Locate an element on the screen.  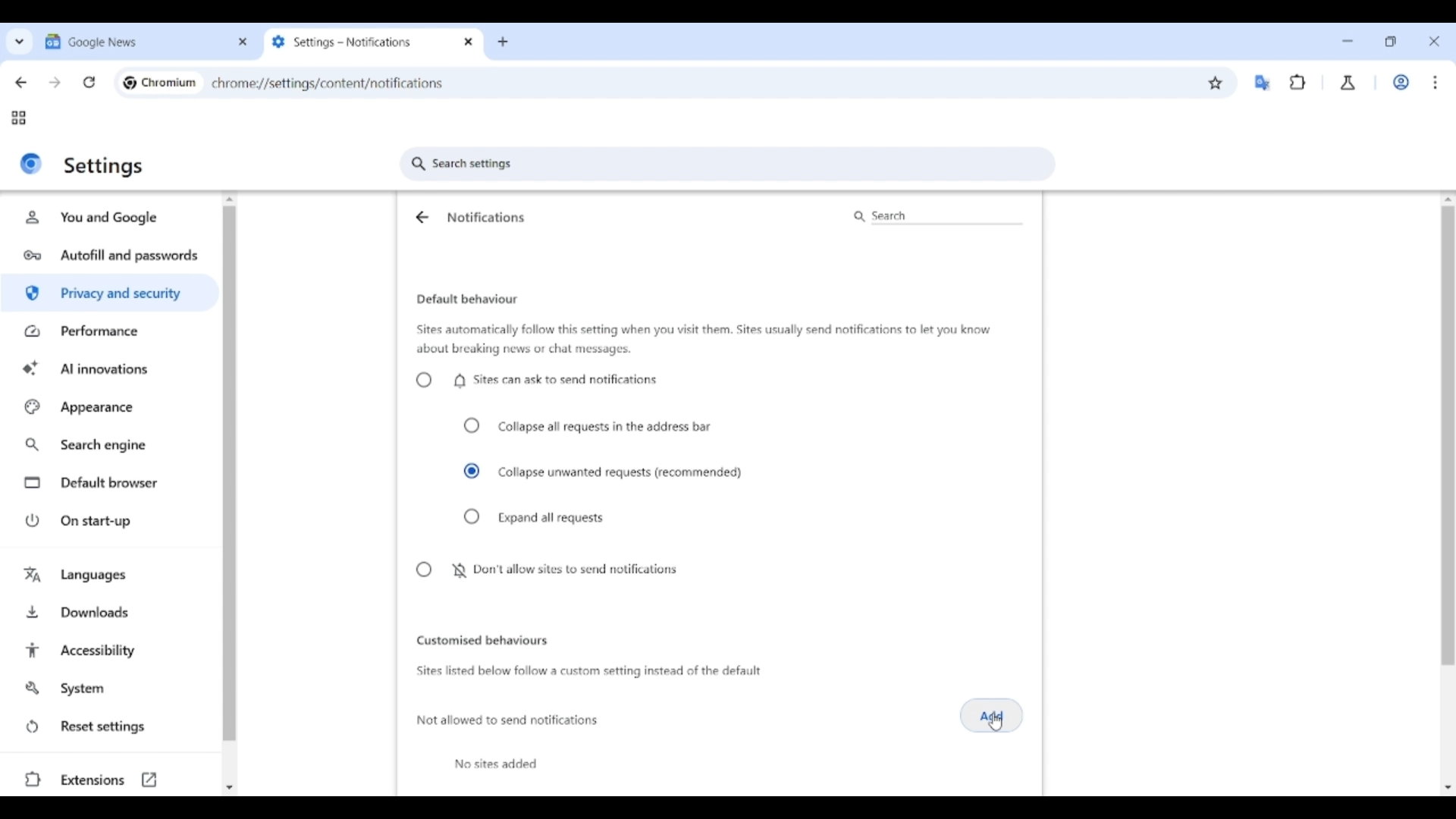
Customized behaviors is located at coordinates (482, 640).